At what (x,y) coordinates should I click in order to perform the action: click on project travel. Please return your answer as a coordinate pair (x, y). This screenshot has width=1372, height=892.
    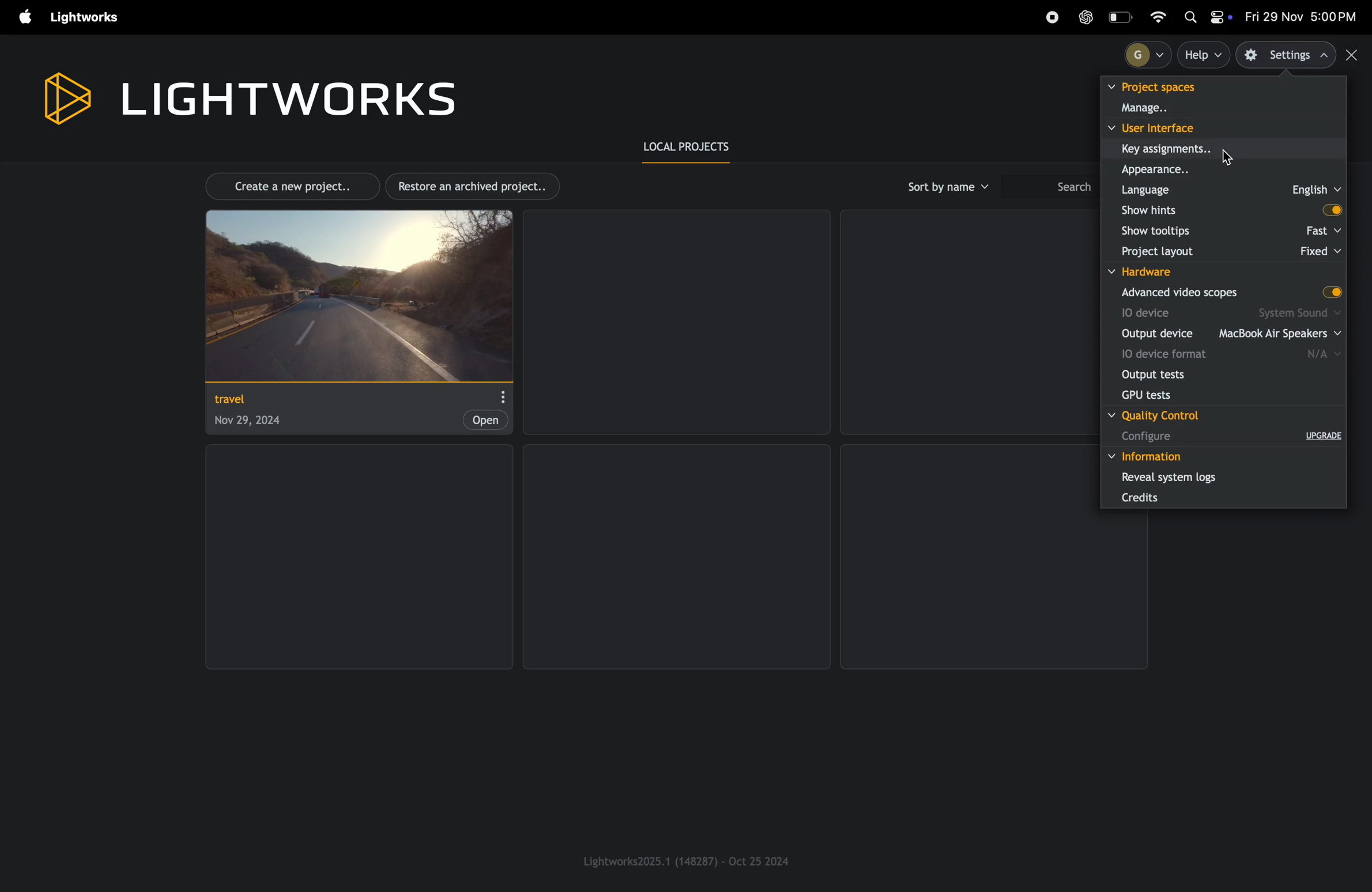
    Looking at the image, I should click on (355, 322).